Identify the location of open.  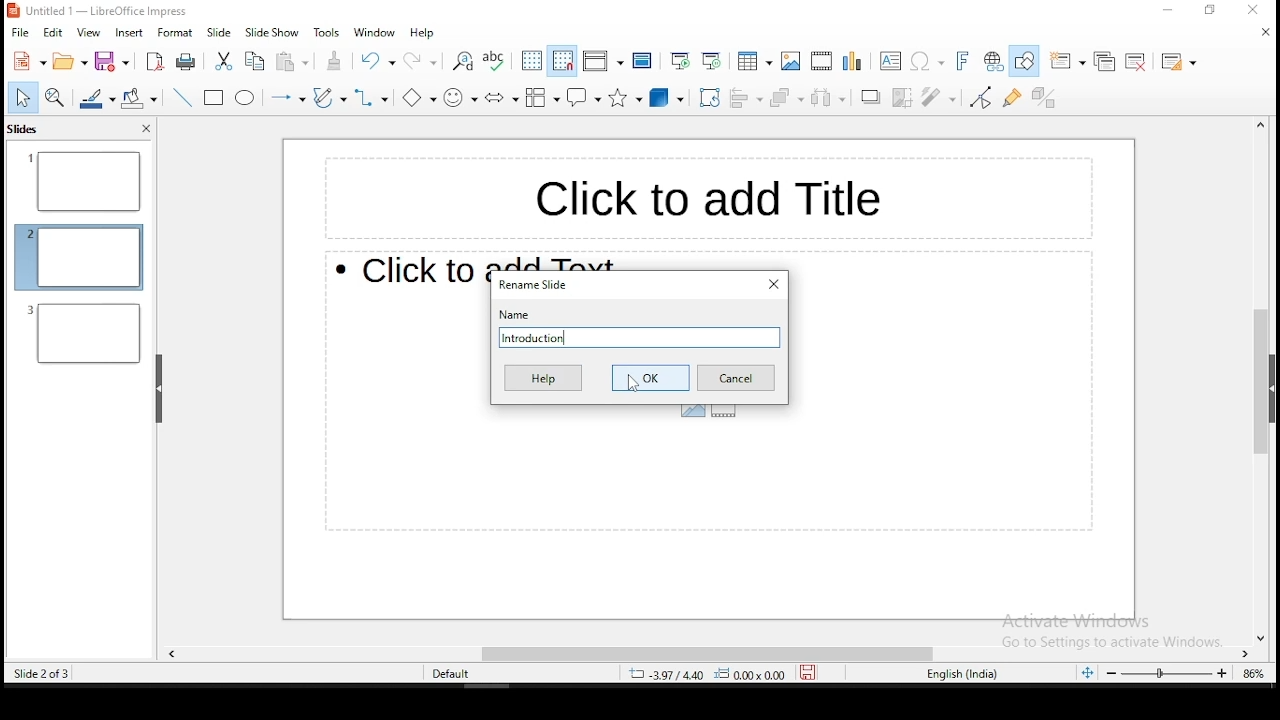
(72, 61).